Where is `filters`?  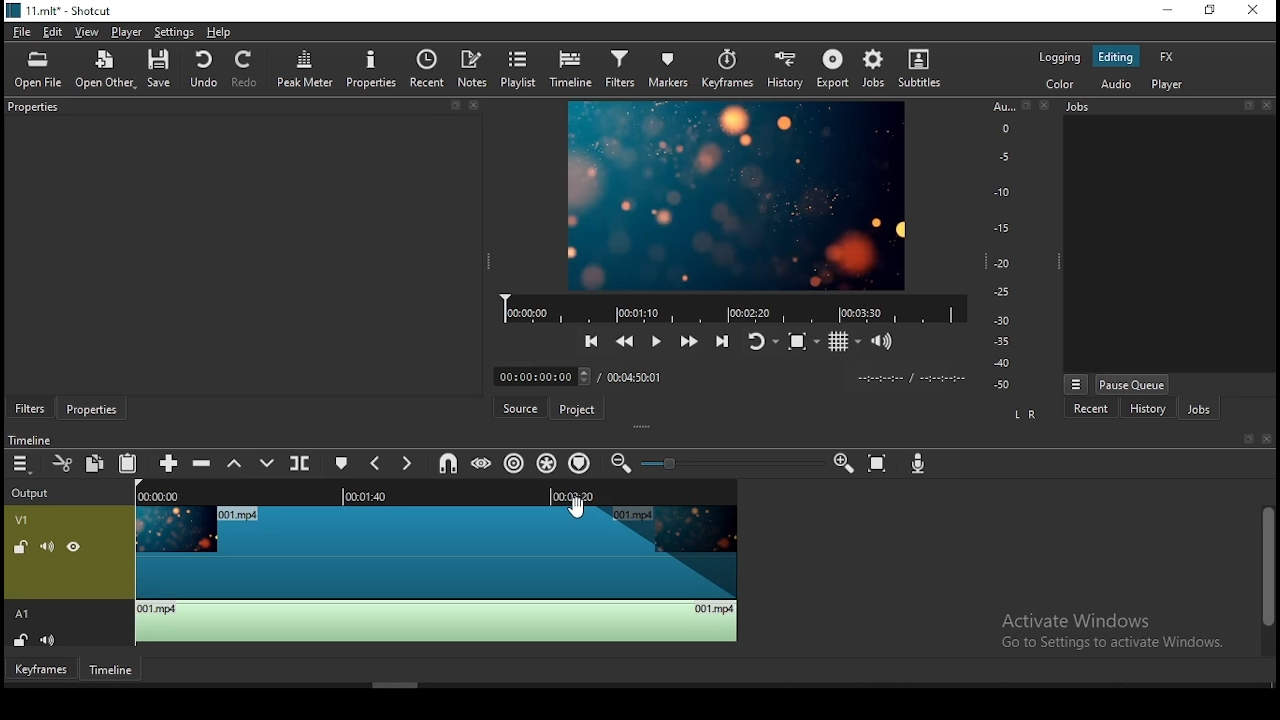 filters is located at coordinates (621, 65).